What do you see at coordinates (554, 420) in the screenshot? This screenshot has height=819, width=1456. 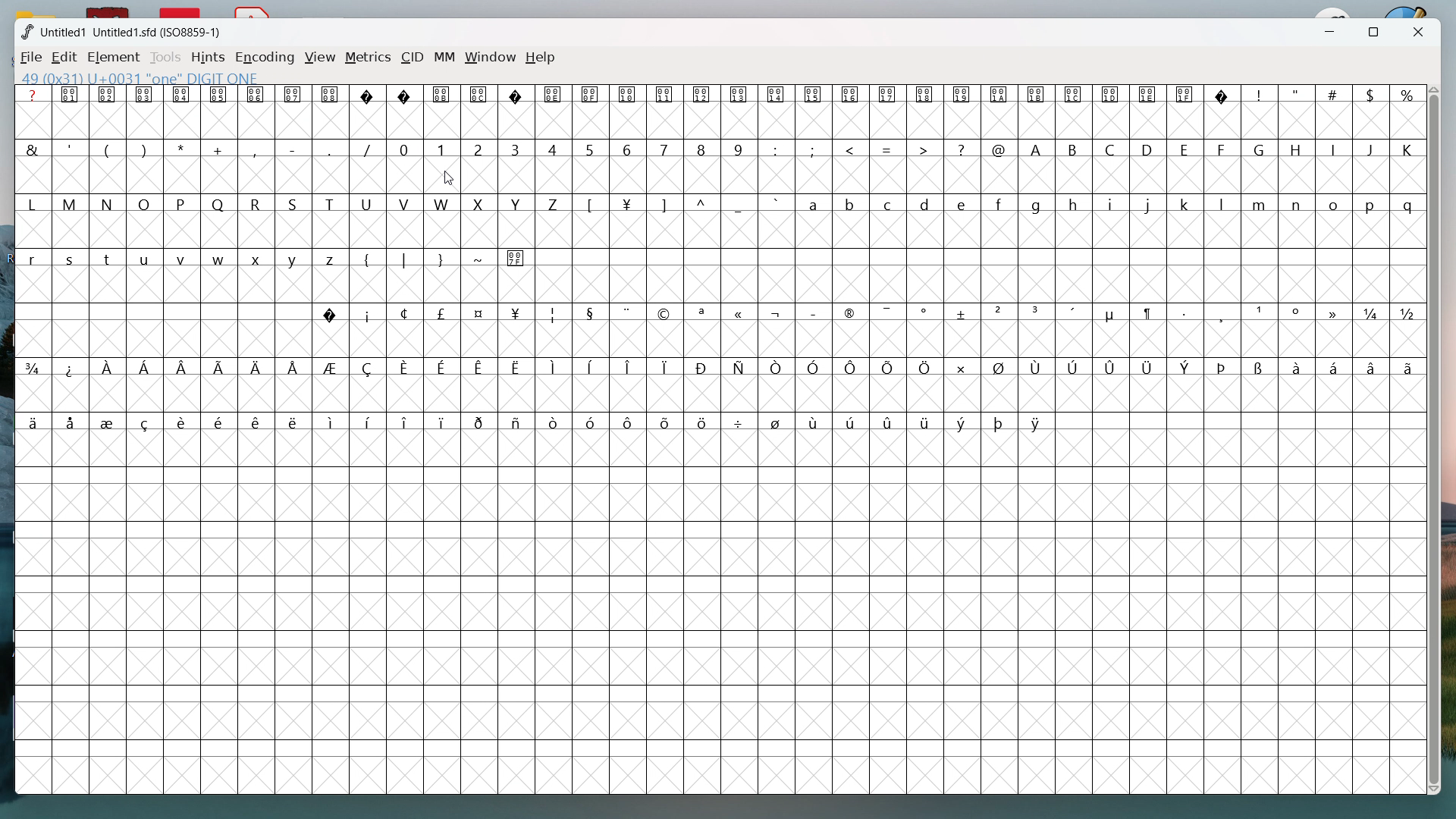 I see `symbol` at bounding box center [554, 420].